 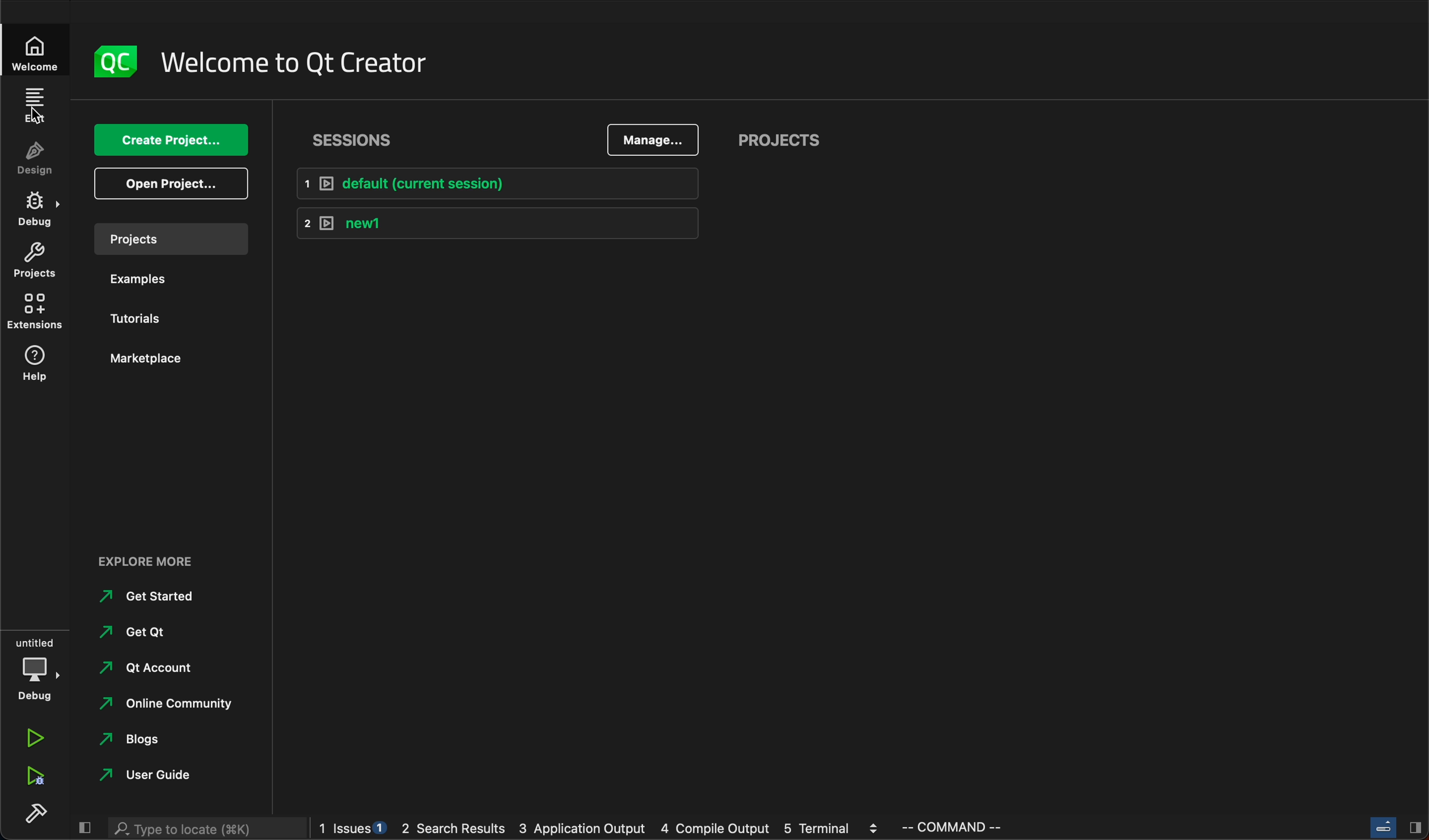 I want to click on tutorials, so click(x=136, y=319).